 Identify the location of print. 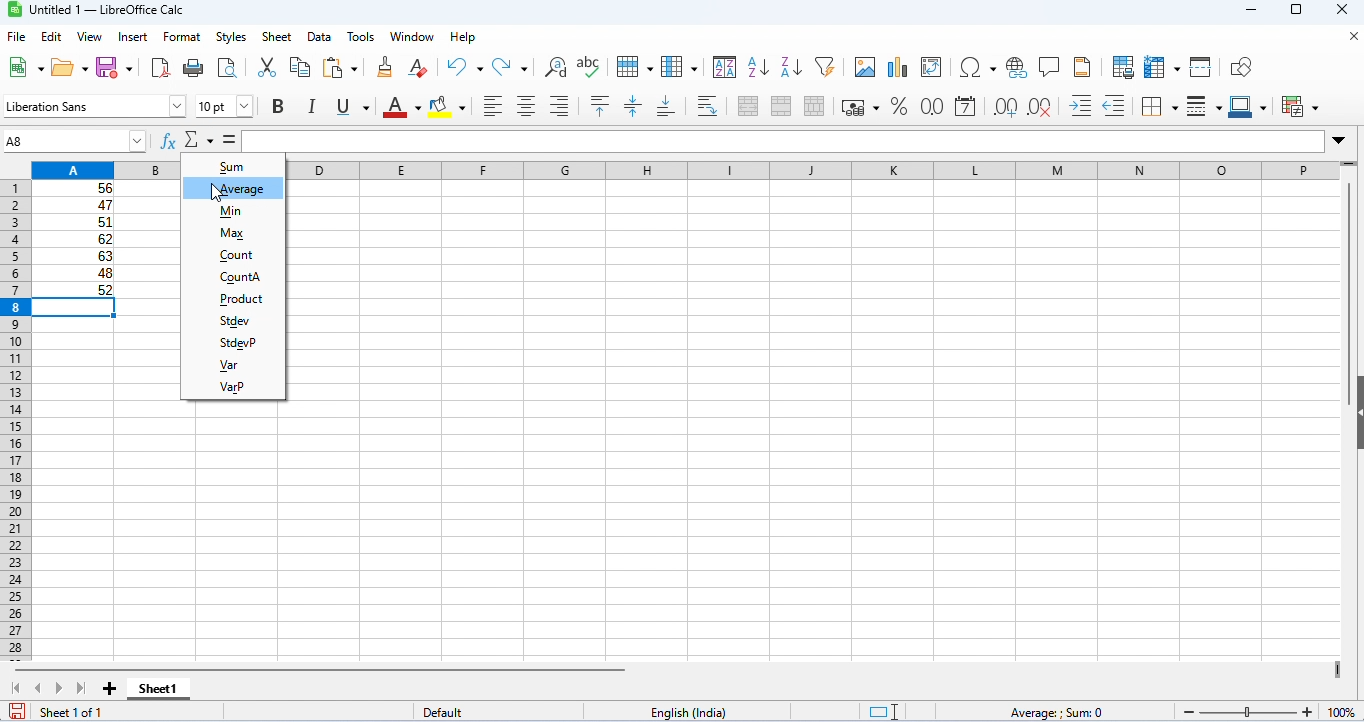
(192, 67).